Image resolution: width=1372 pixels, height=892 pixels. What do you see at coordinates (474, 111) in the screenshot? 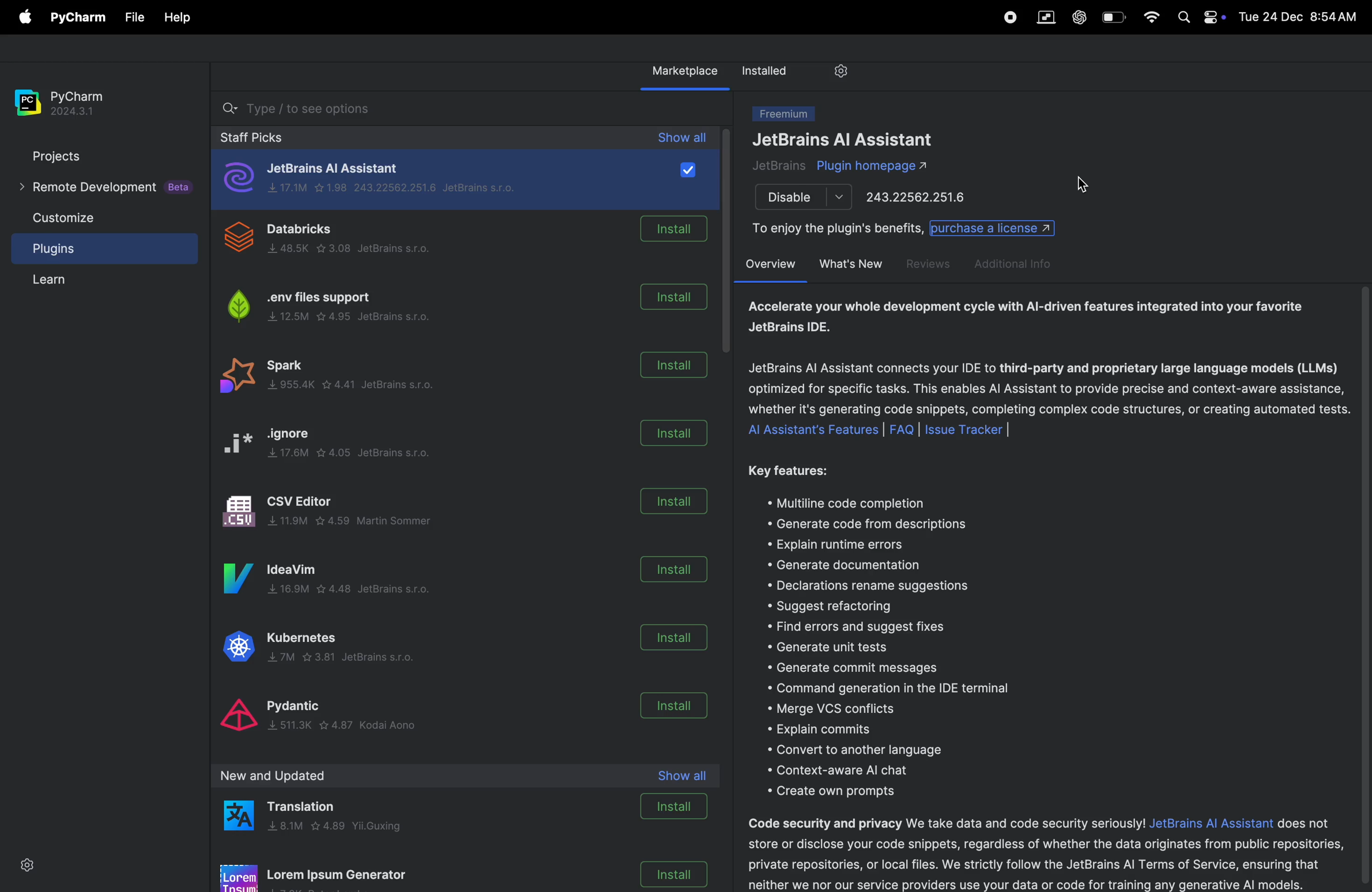
I see `searchbar` at bounding box center [474, 111].